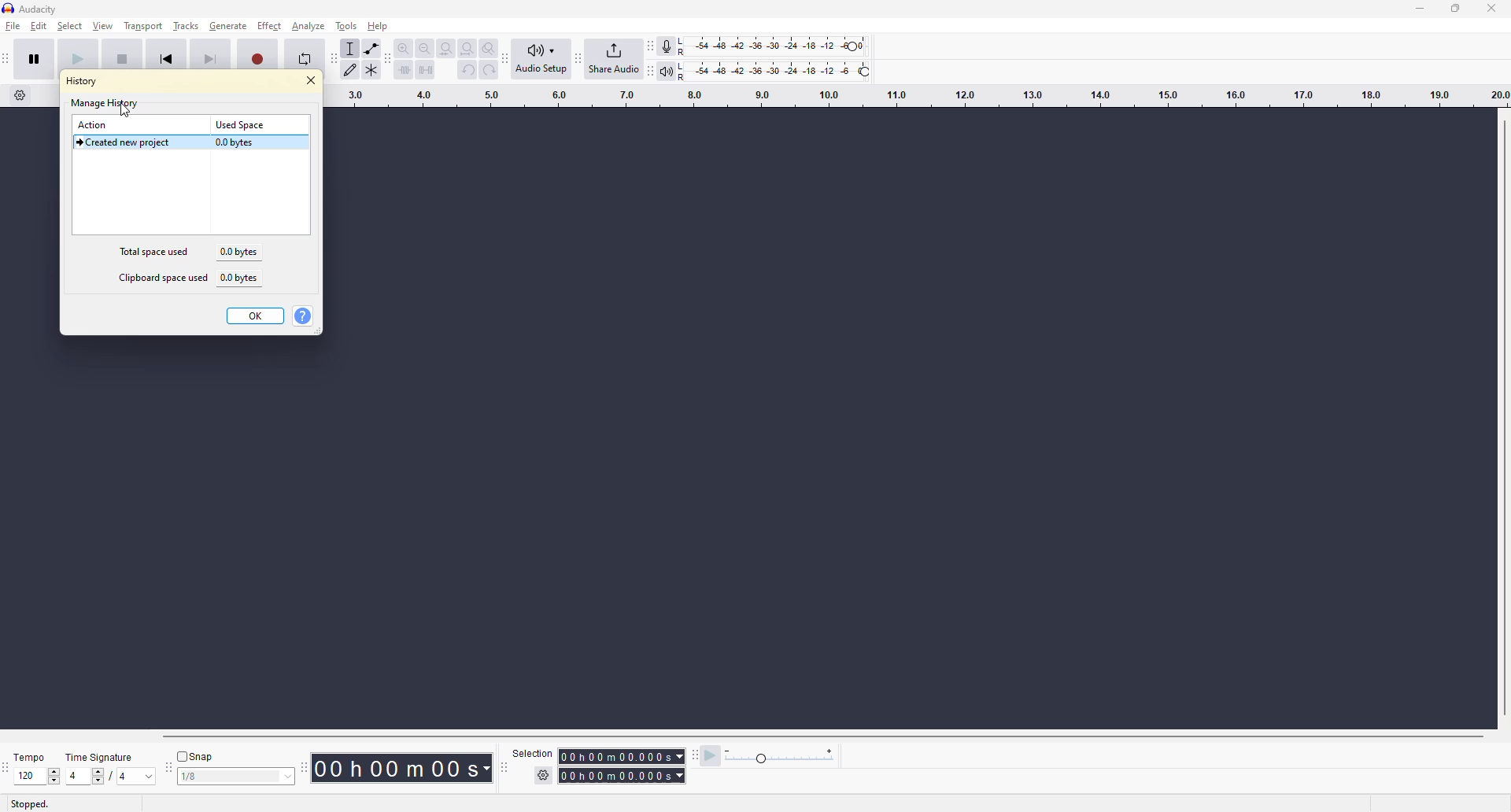  What do you see at coordinates (619, 773) in the screenshot?
I see `selection` at bounding box center [619, 773].